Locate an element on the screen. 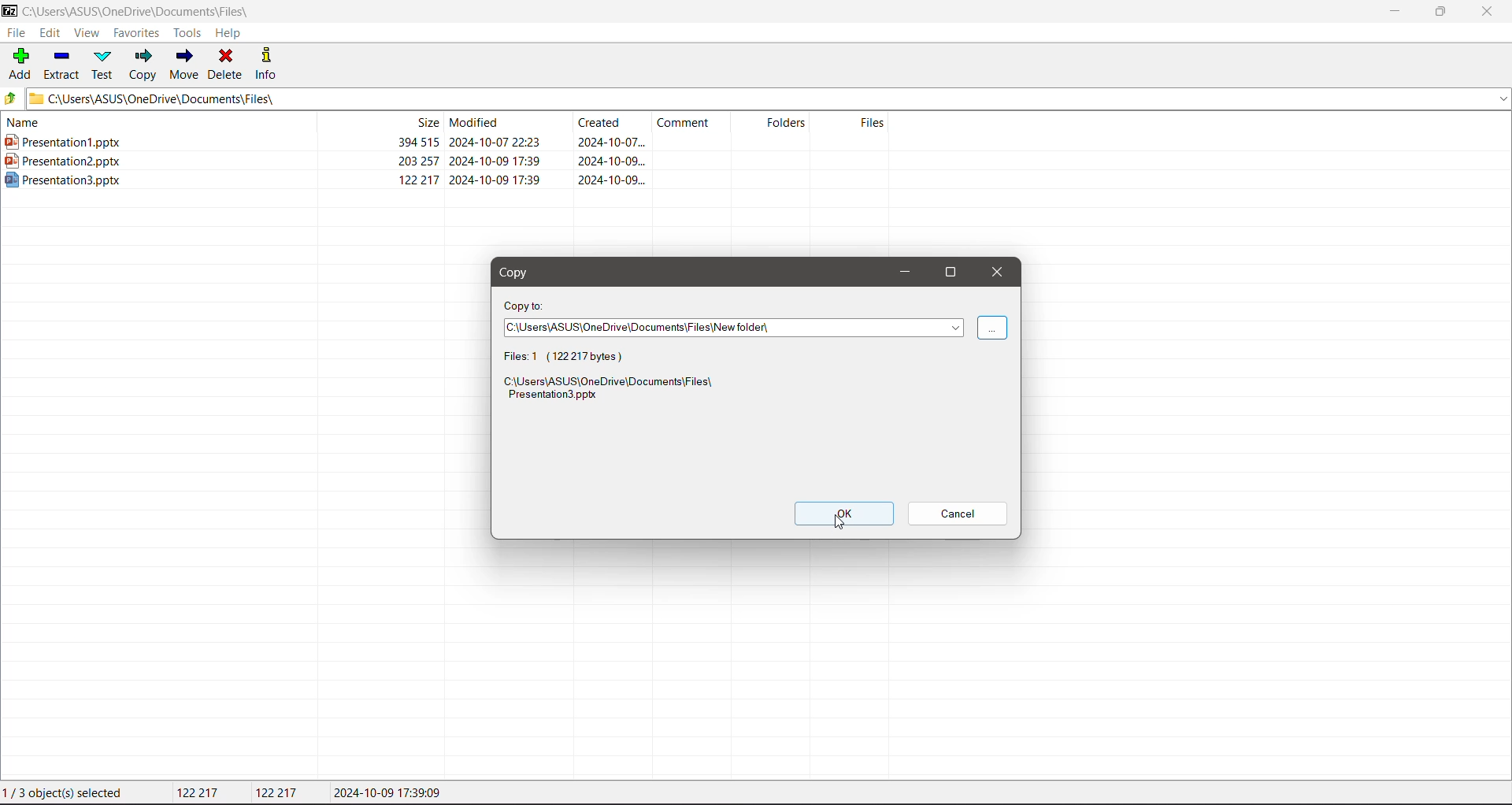 The height and width of the screenshot is (805, 1512). Copy is located at coordinates (520, 273).